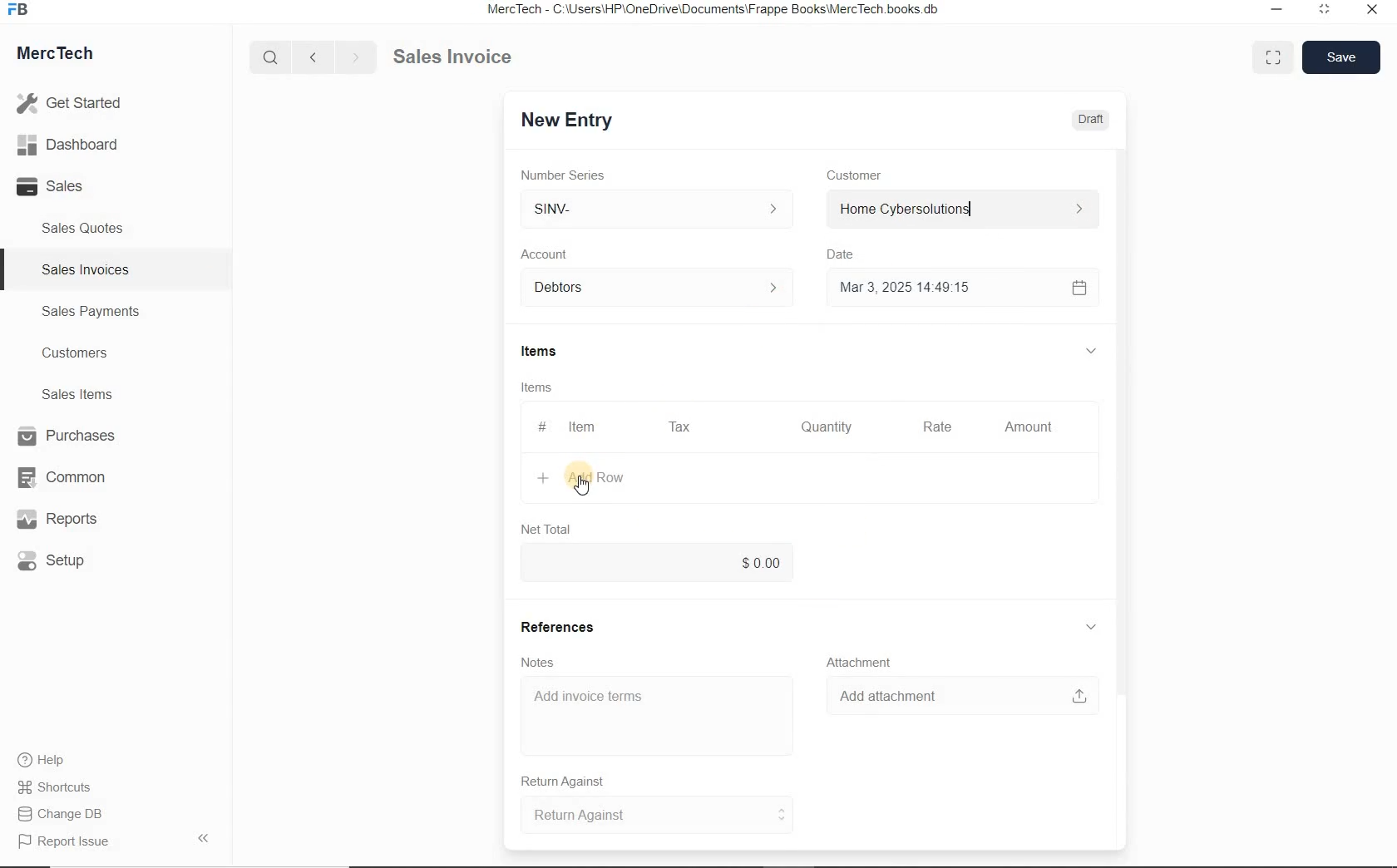 The width and height of the screenshot is (1397, 868). I want to click on Net Total, so click(548, 529).